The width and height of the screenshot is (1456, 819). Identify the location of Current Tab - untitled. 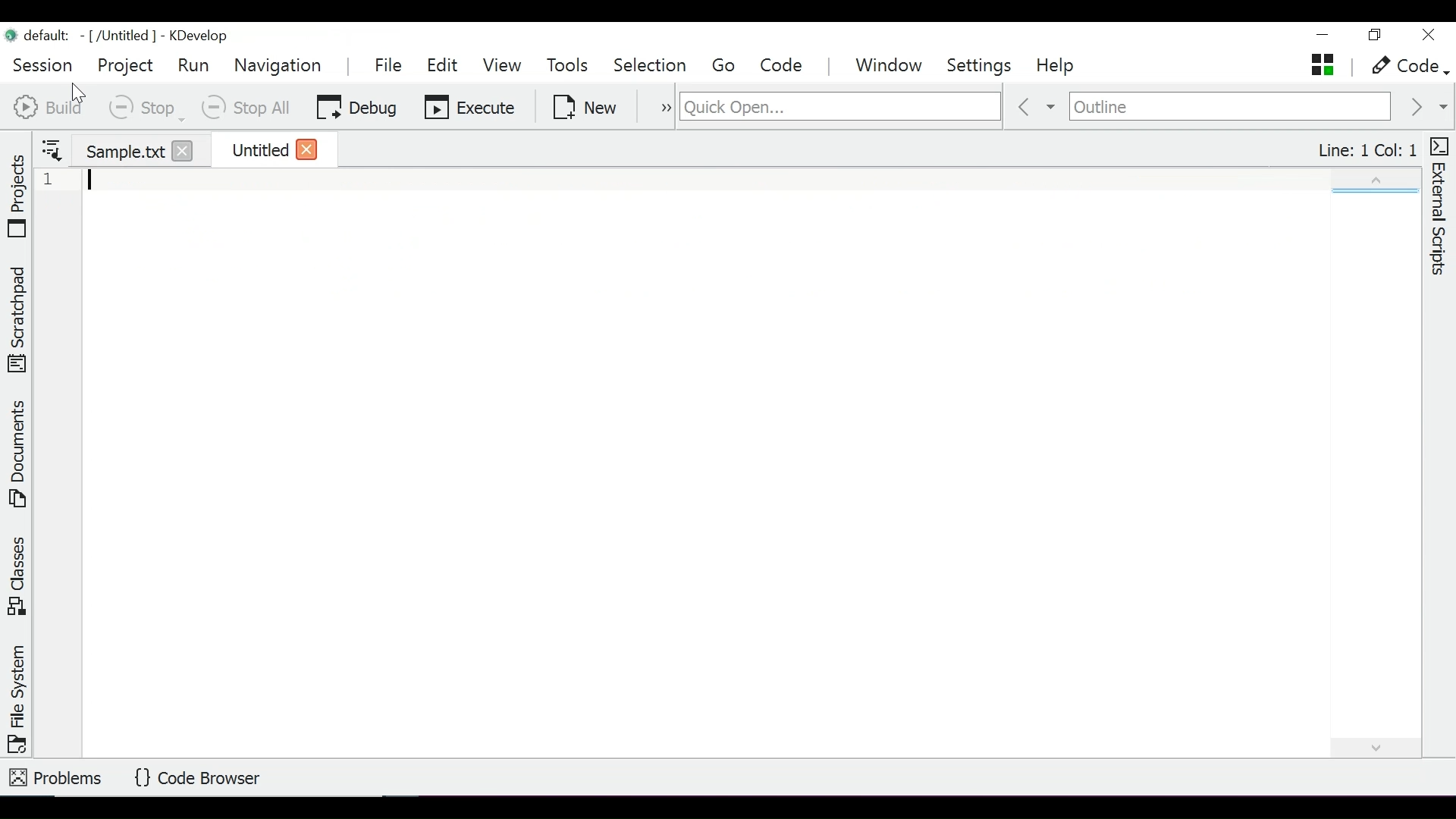
(253, 149).